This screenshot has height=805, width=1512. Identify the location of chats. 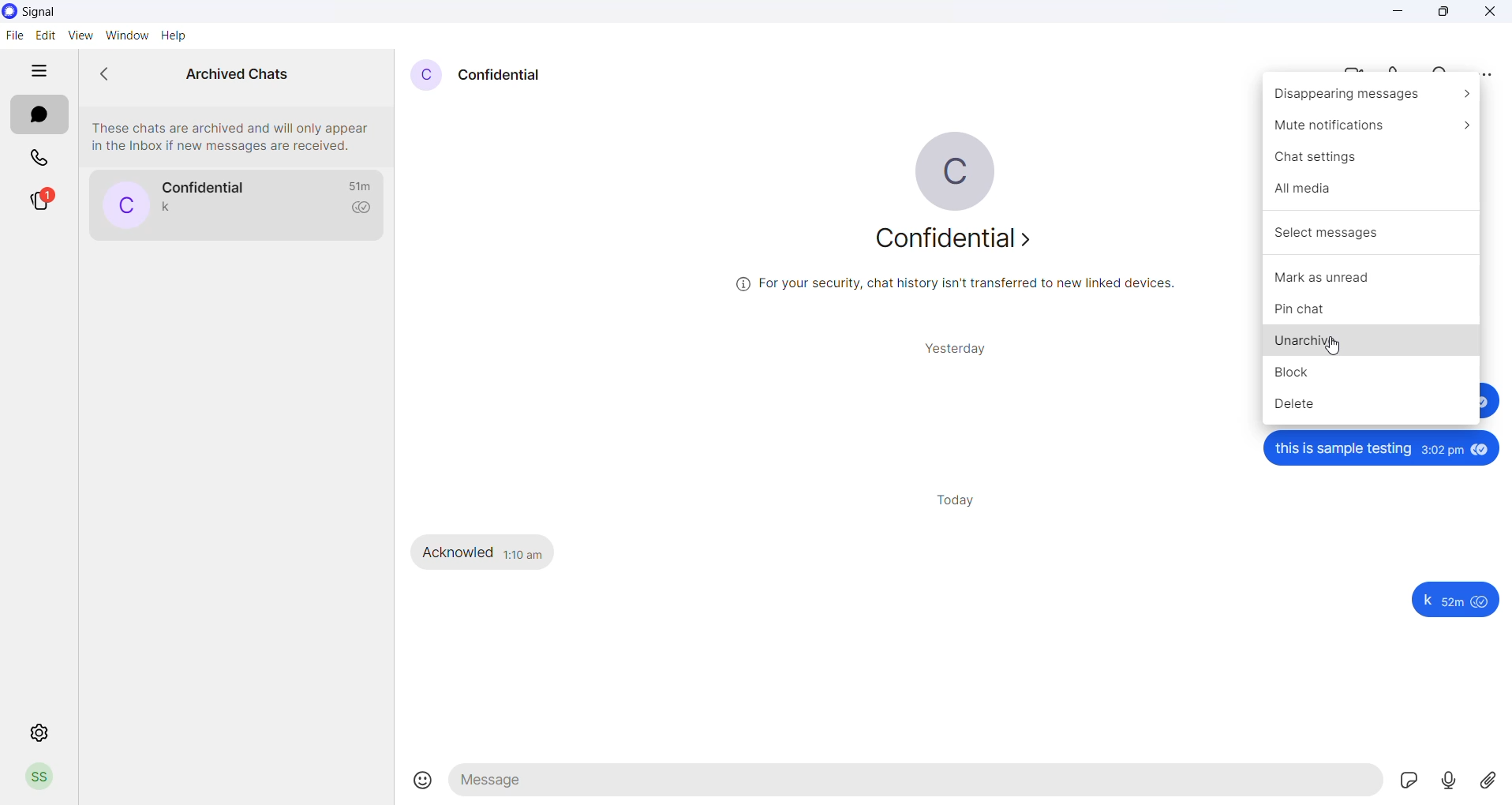
(39, 116).